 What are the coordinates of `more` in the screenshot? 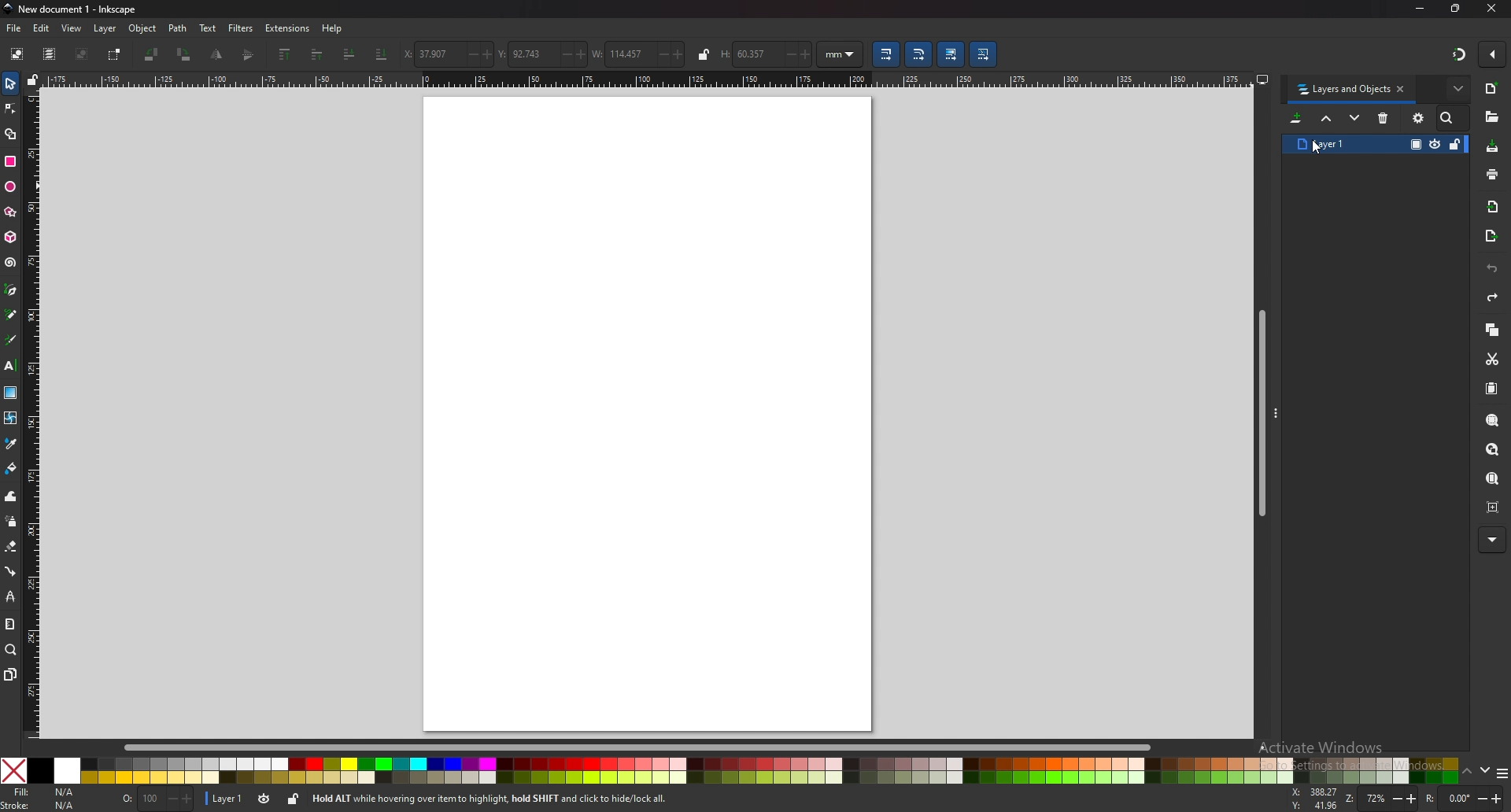 It's located at (1491, 541).